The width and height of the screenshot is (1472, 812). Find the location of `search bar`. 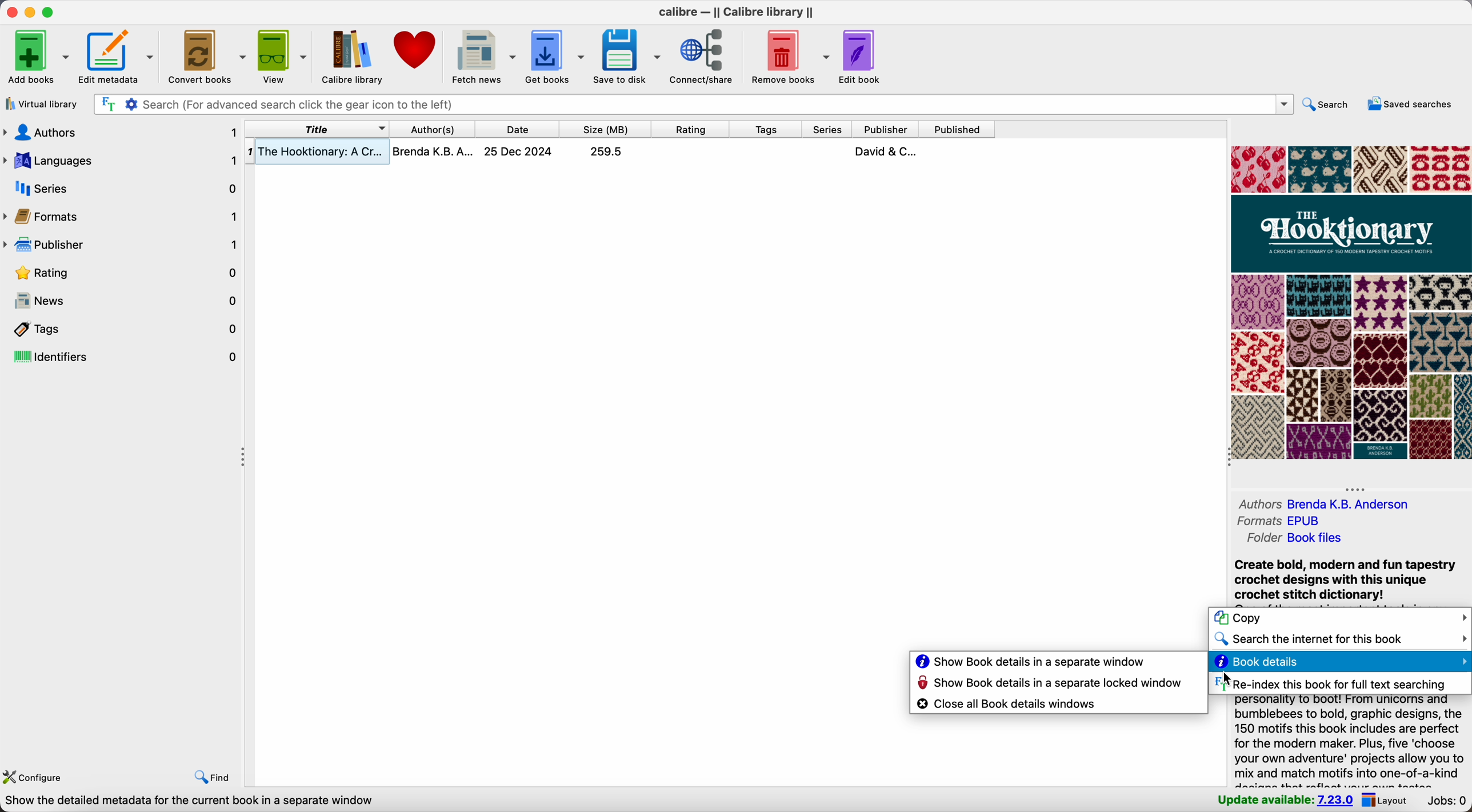

search bar is located at coordinates (692, 105).